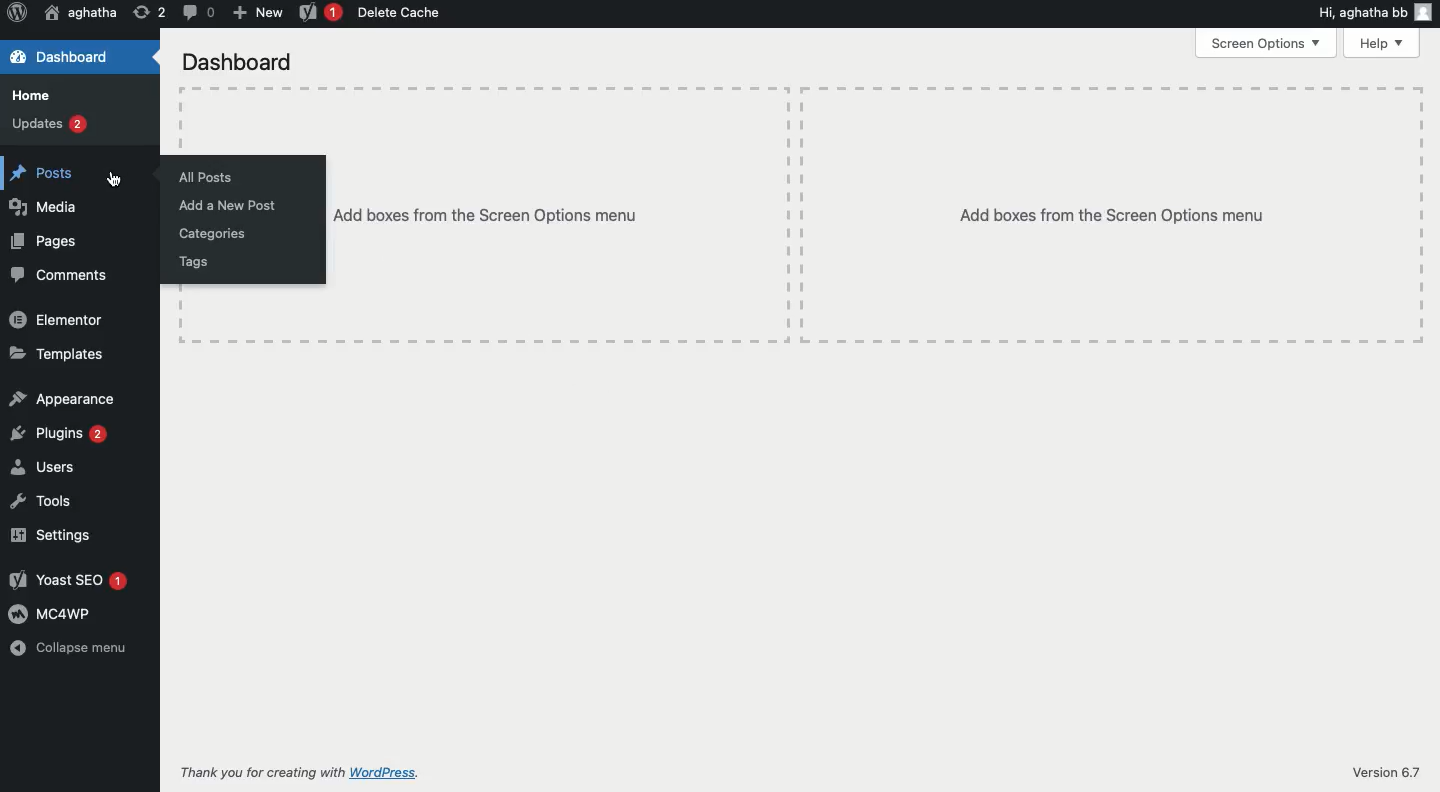 This screenshot has height=792, width=1440. Describe the element at coordinates (797, 216) in the screenshot. I see `Table lines` at that location.